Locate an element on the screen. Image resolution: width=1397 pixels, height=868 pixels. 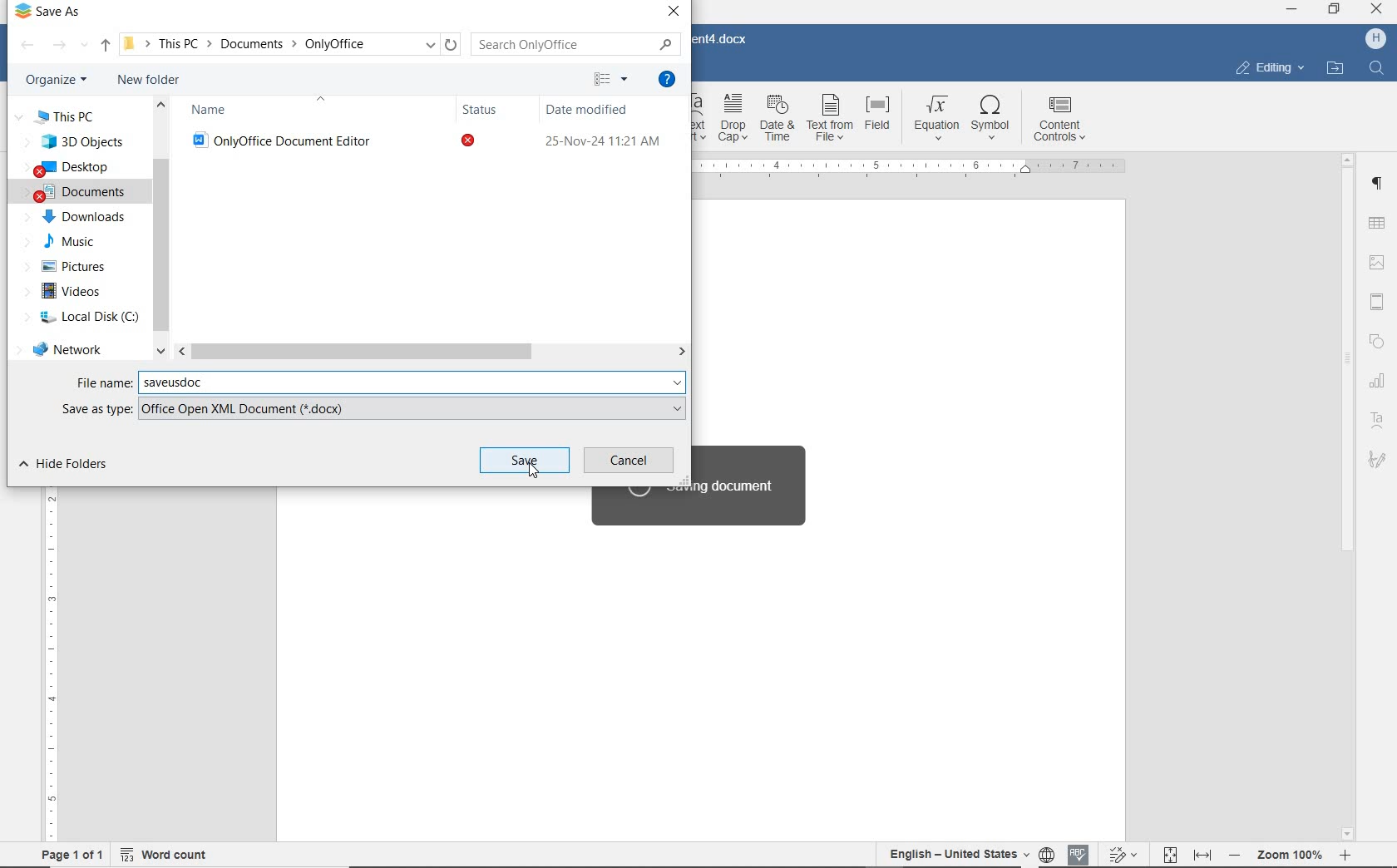
ruler is located at coordinates (912, 168).